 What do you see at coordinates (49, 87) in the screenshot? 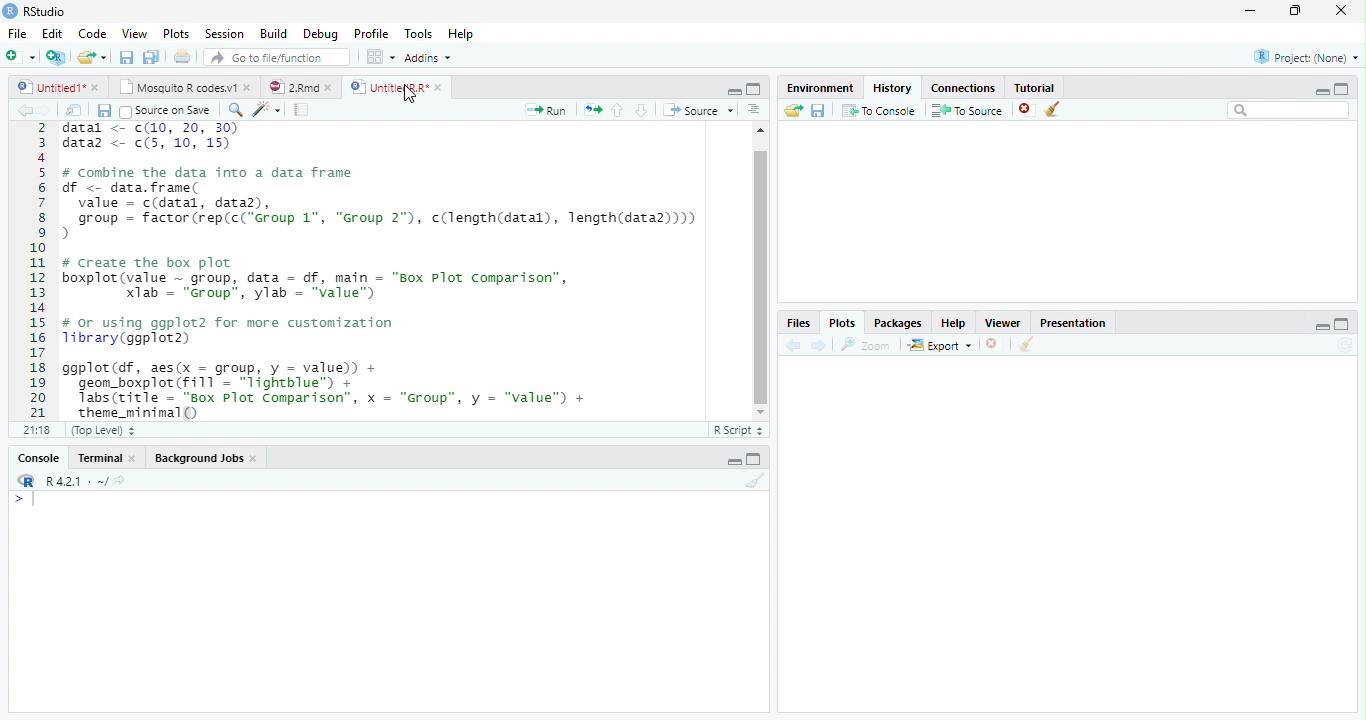
I see `Untitled1*` at bounding box center [49, 87].